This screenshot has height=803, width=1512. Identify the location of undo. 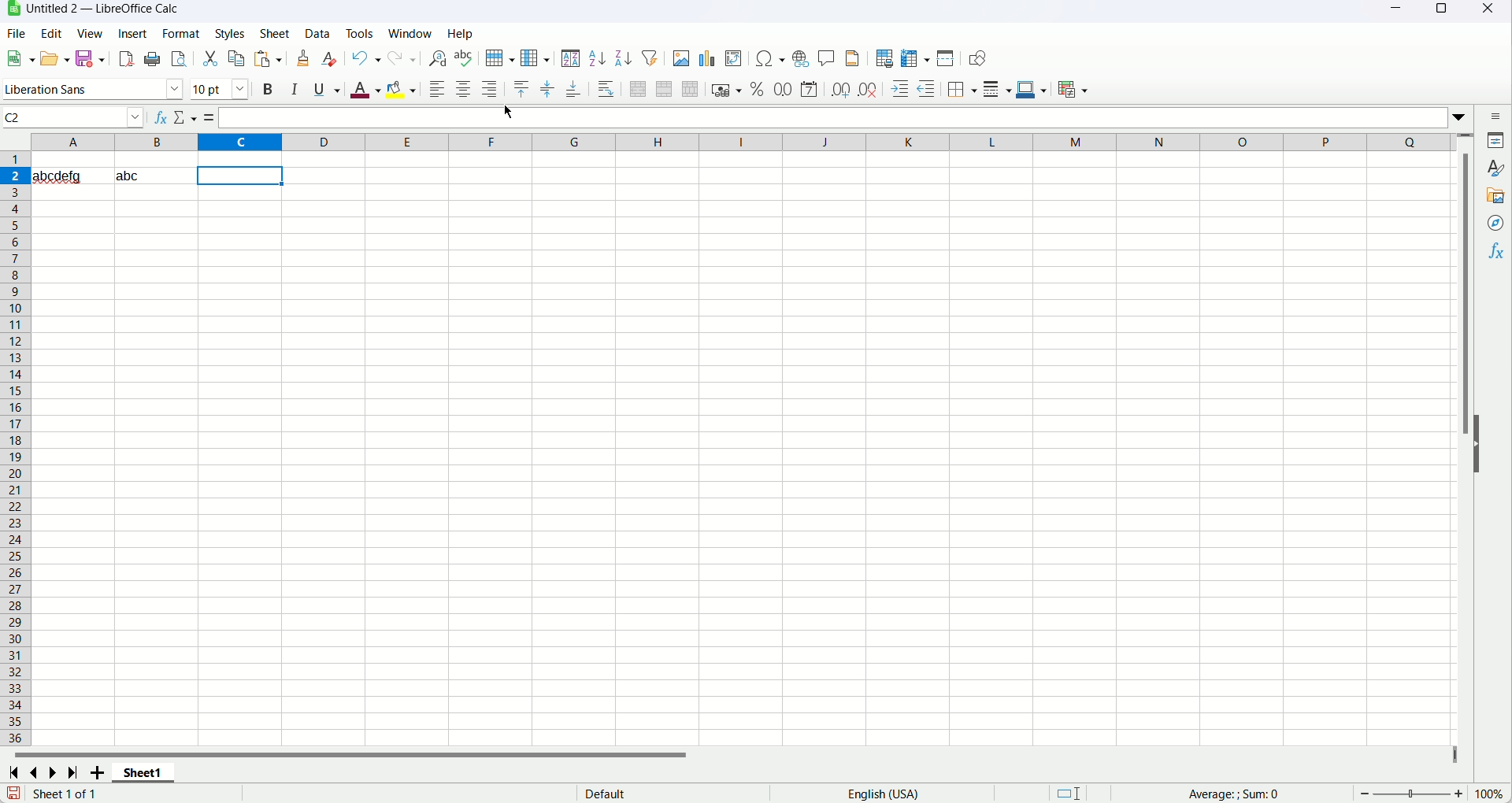
(366, 59).